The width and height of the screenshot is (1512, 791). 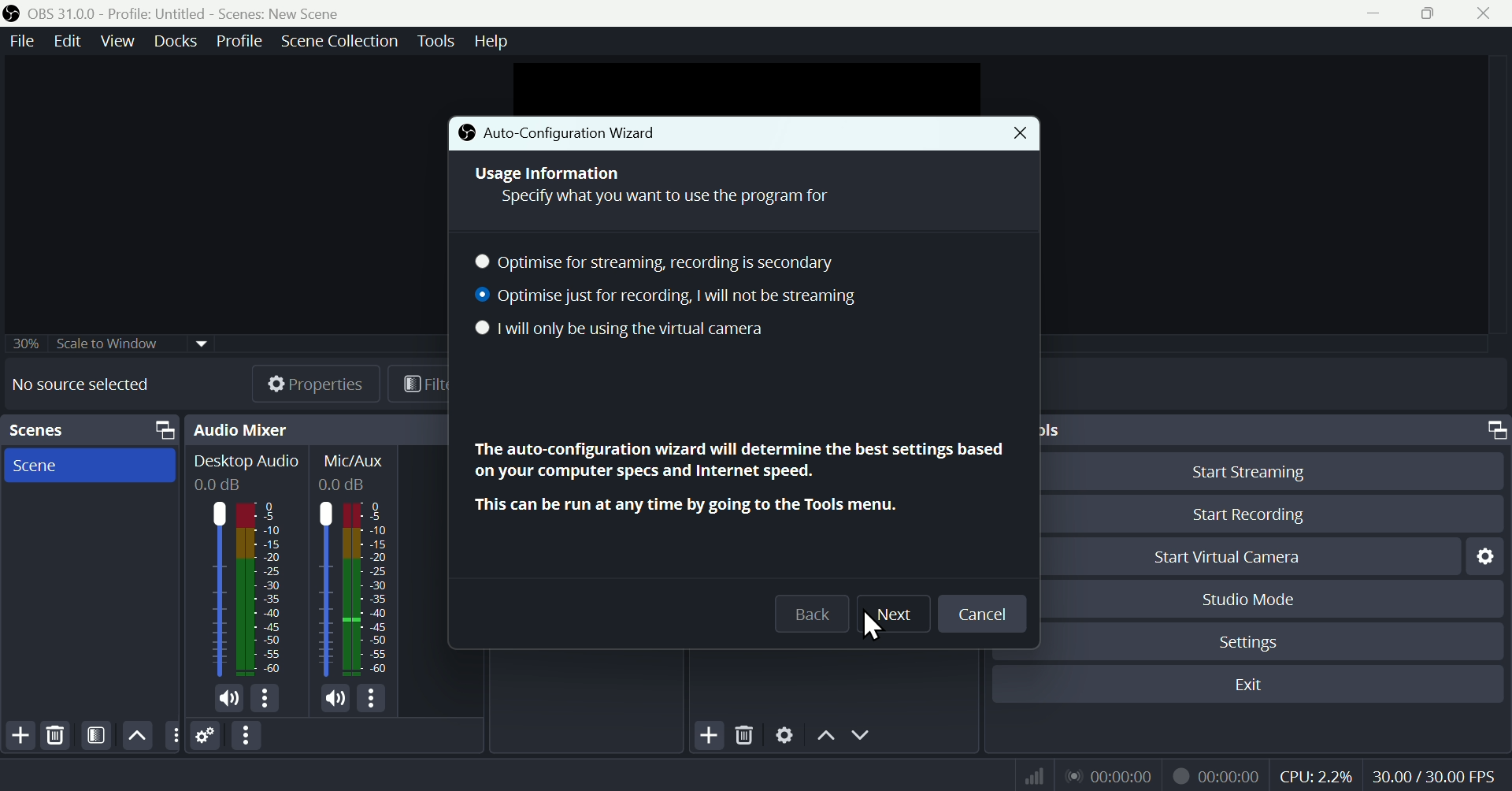 I want to click on Next, so click(x=892, y=615).